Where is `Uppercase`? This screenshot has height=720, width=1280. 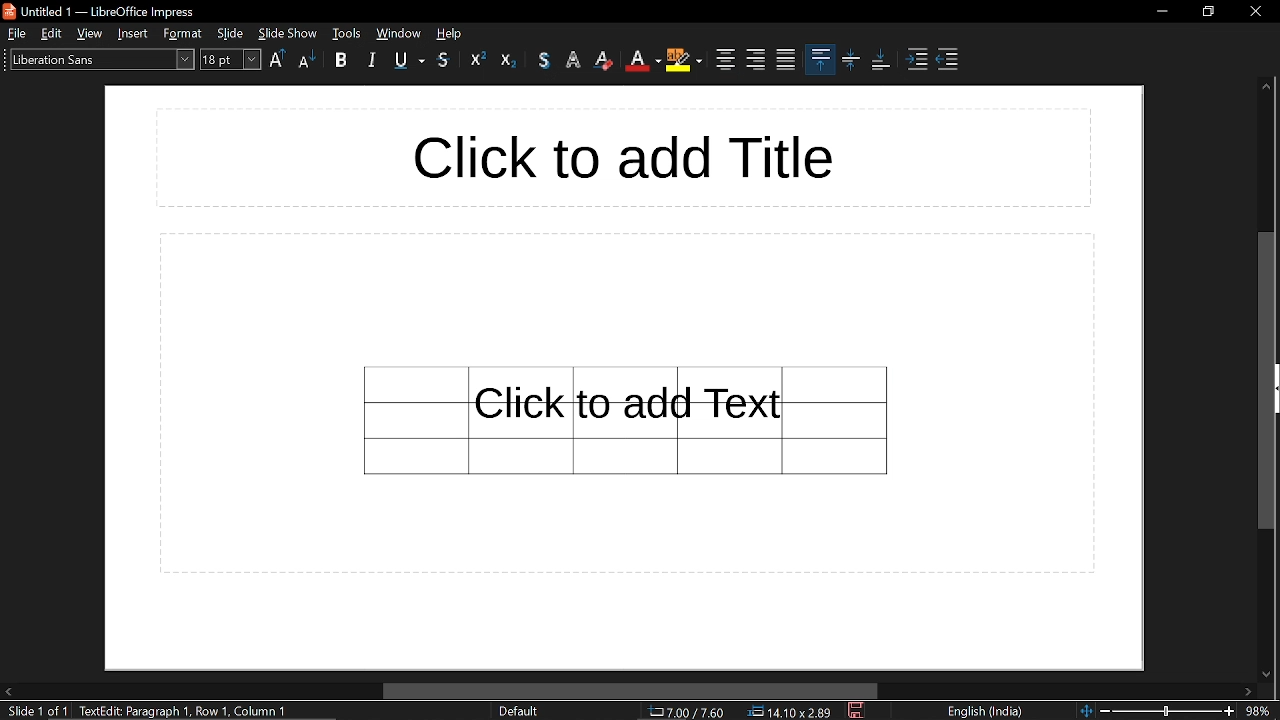 Uppercase is located at coordinates (278, 60).